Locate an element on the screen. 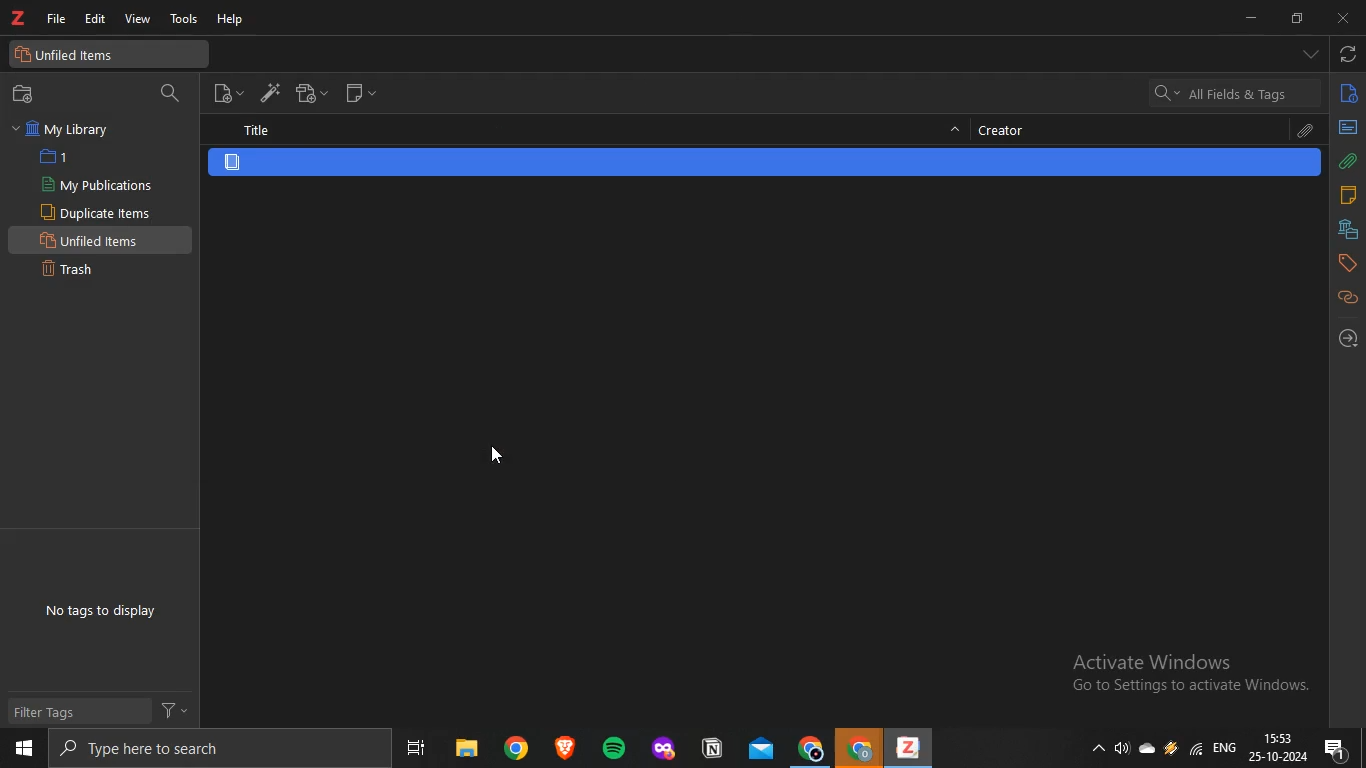 This screenshot has height=768, width=1366. abstract is located at coordinates (1347, 127).